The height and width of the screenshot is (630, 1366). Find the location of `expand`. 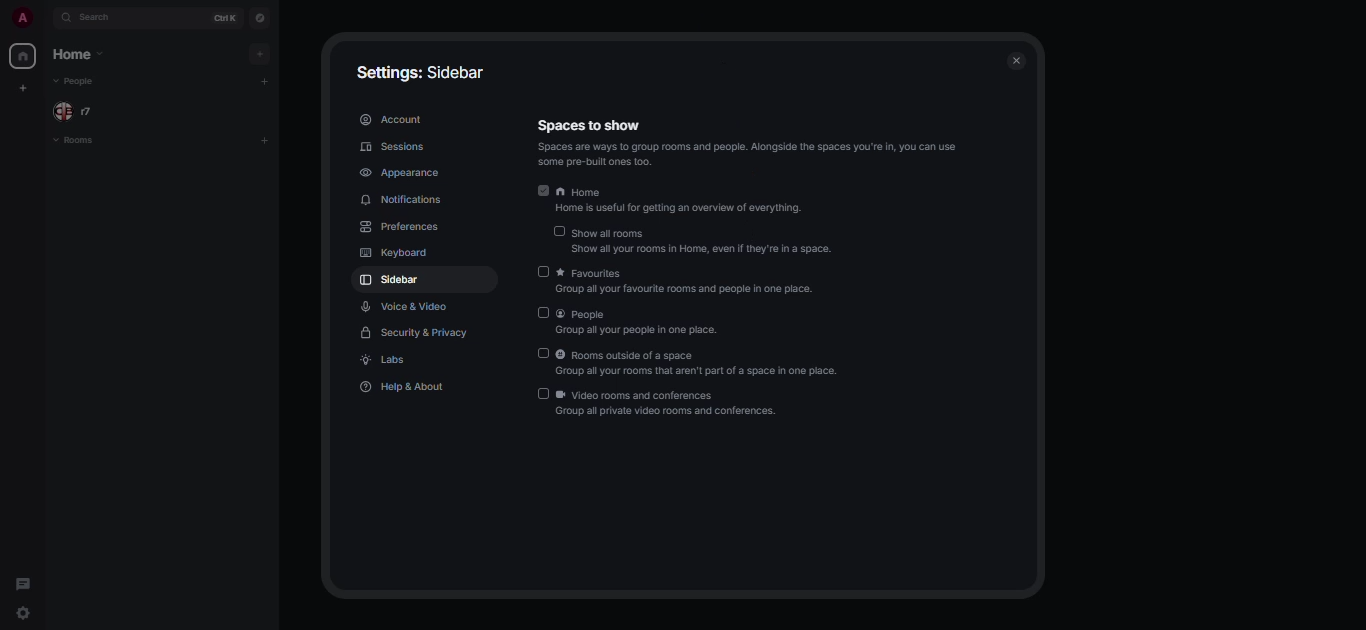

expand is located at coordinates (45, 19).